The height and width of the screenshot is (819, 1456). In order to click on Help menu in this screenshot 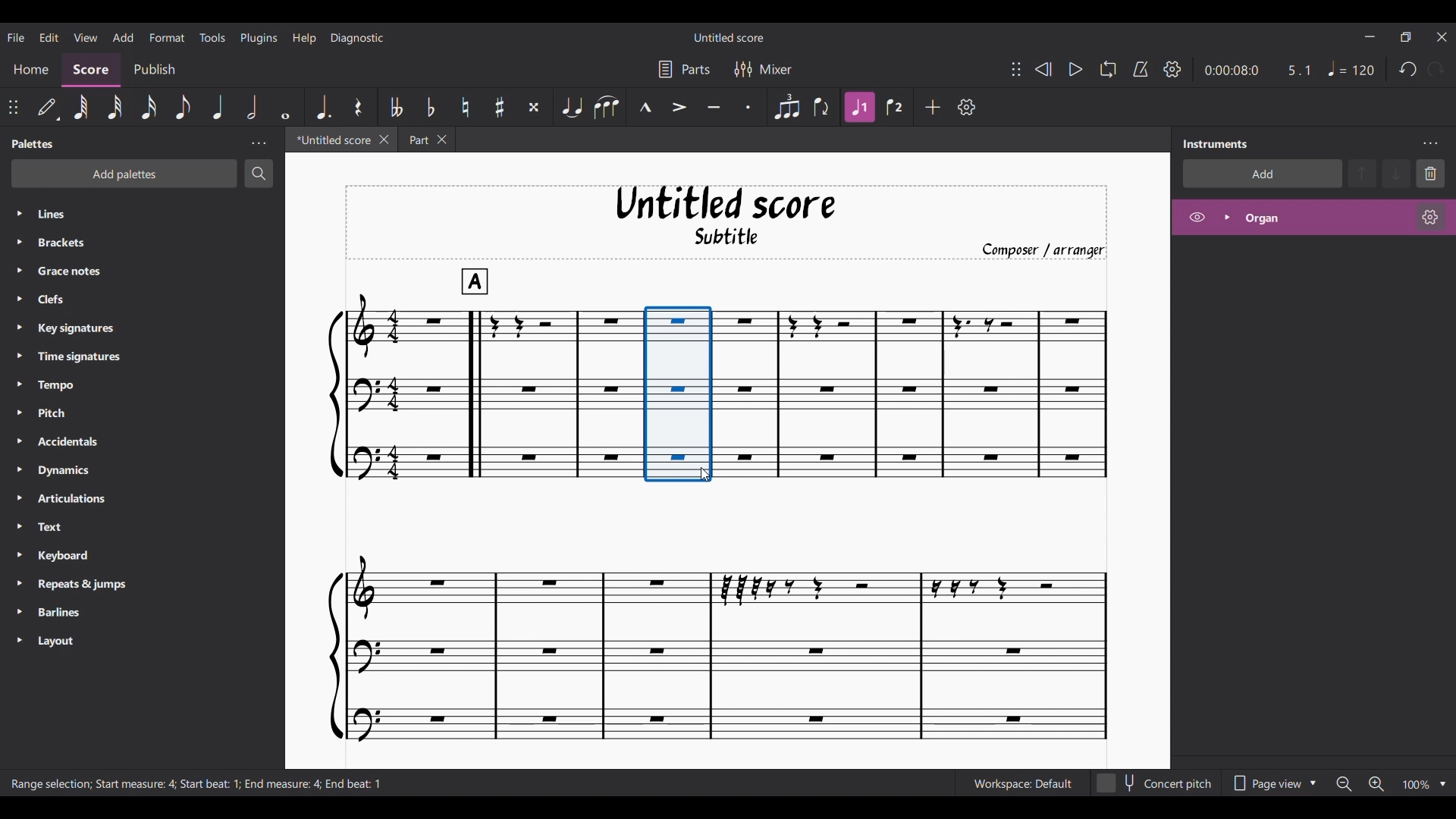, I will do `click(304, 38)`.